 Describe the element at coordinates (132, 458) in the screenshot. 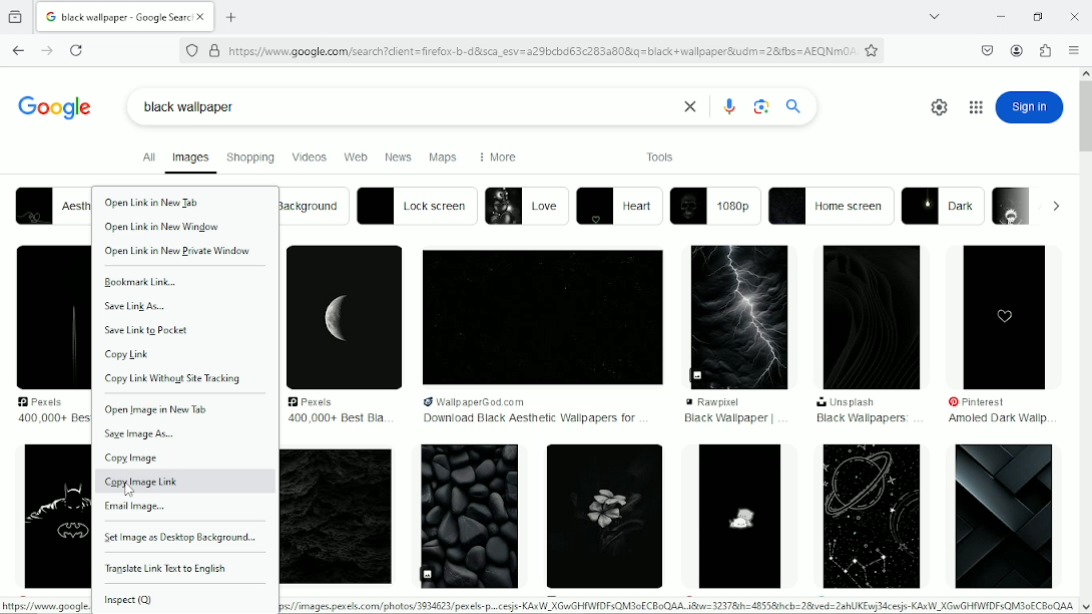

I see `copy image` at that location.